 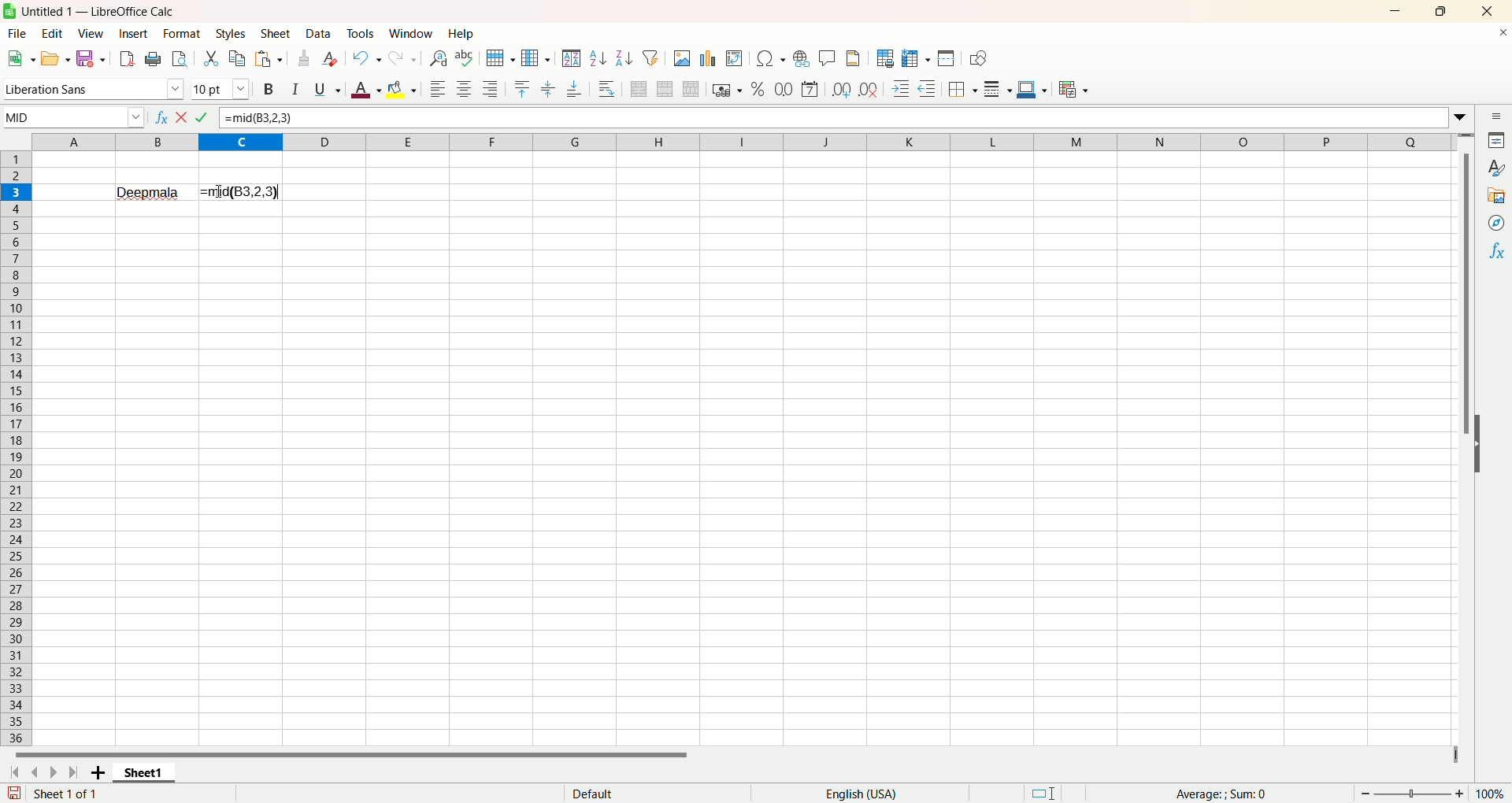 I want to click on Sort, so click(x=571, y=57).